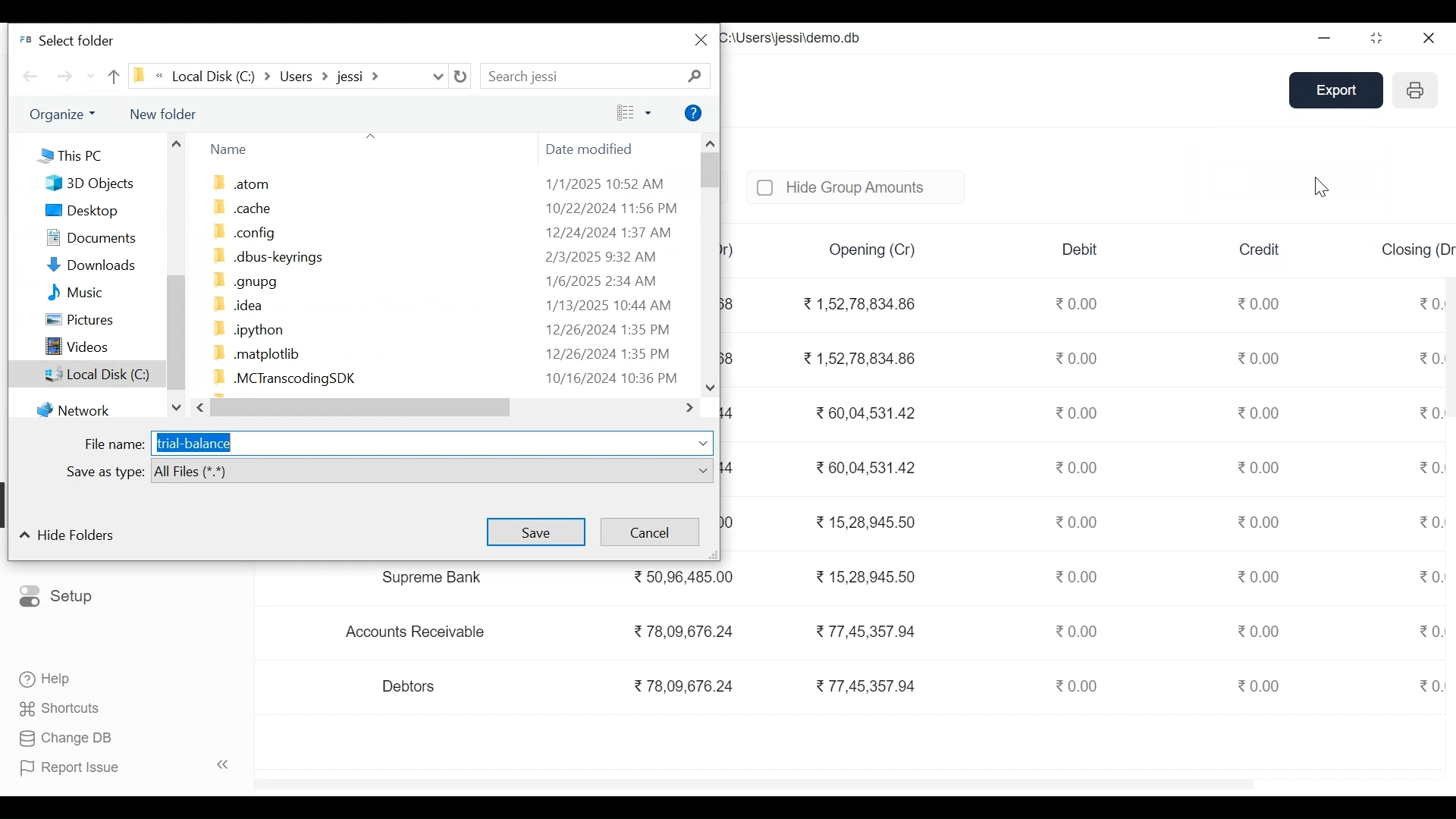 Image resolution: width=1456 pixels, height=819 pixels. I want to click on Music, so click(76, 291).